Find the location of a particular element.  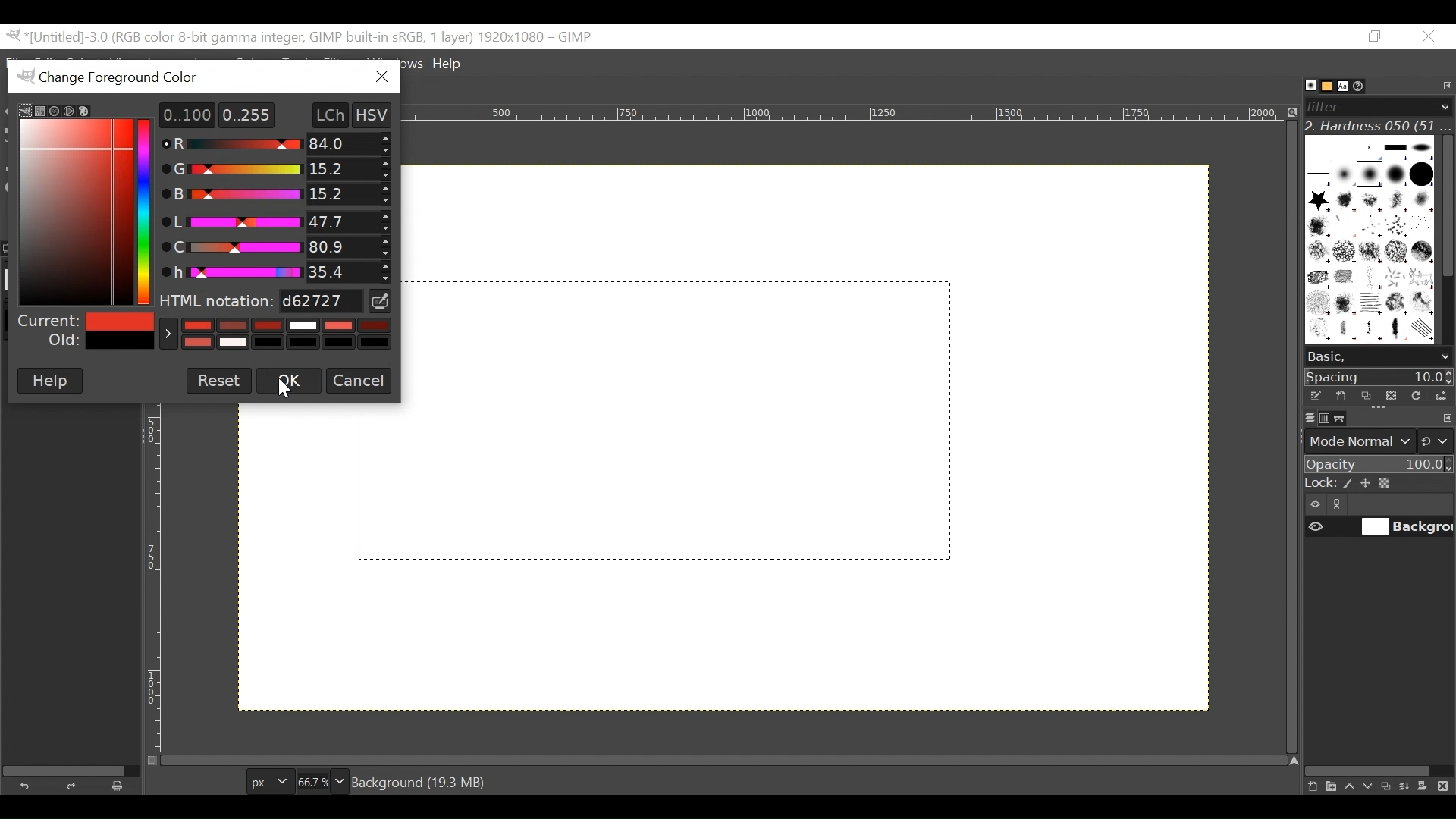

Help is located at coordinates (49, 381).